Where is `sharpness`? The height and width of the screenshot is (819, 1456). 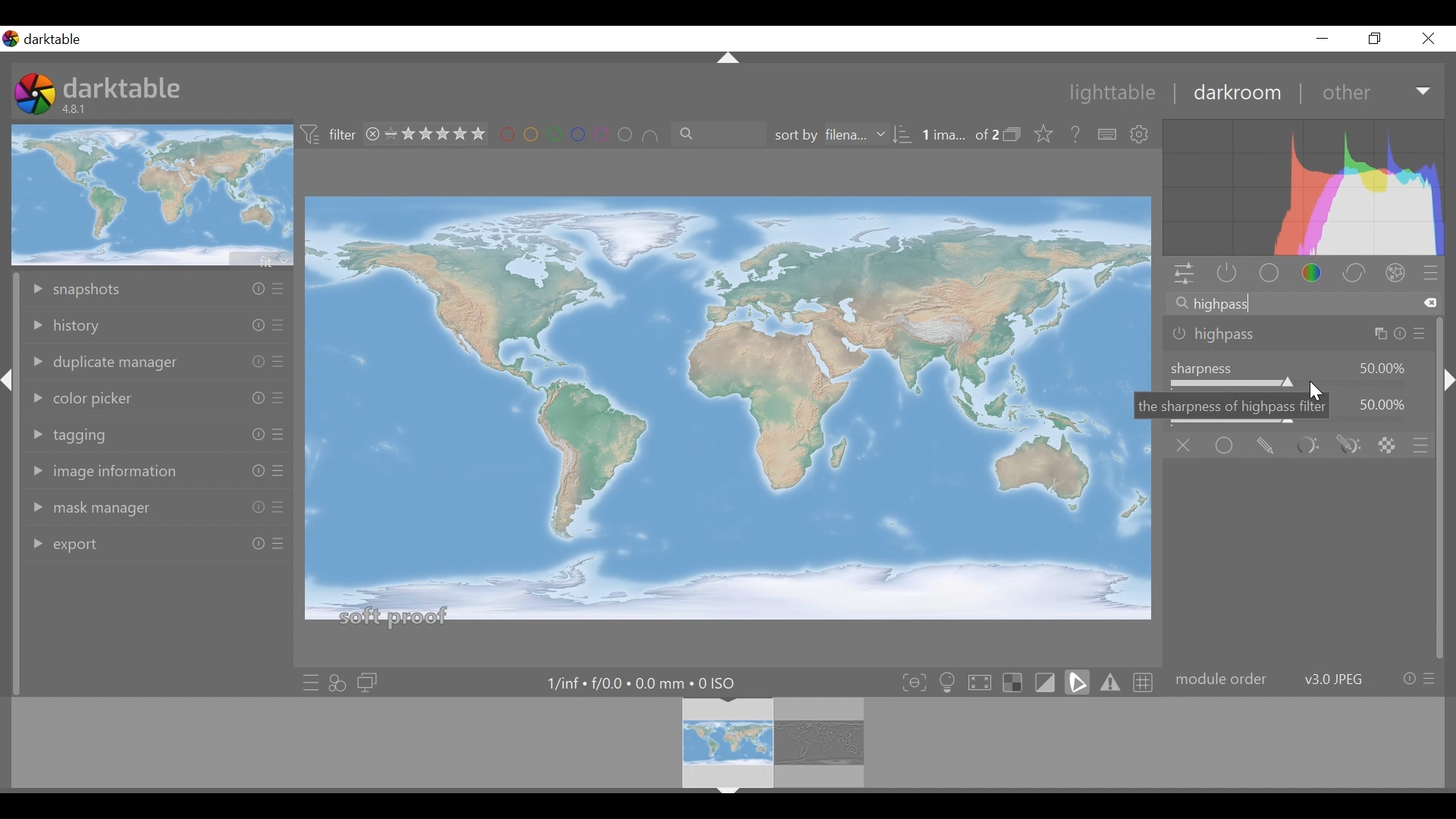
sharpness is located at coordinates (1300, 385).